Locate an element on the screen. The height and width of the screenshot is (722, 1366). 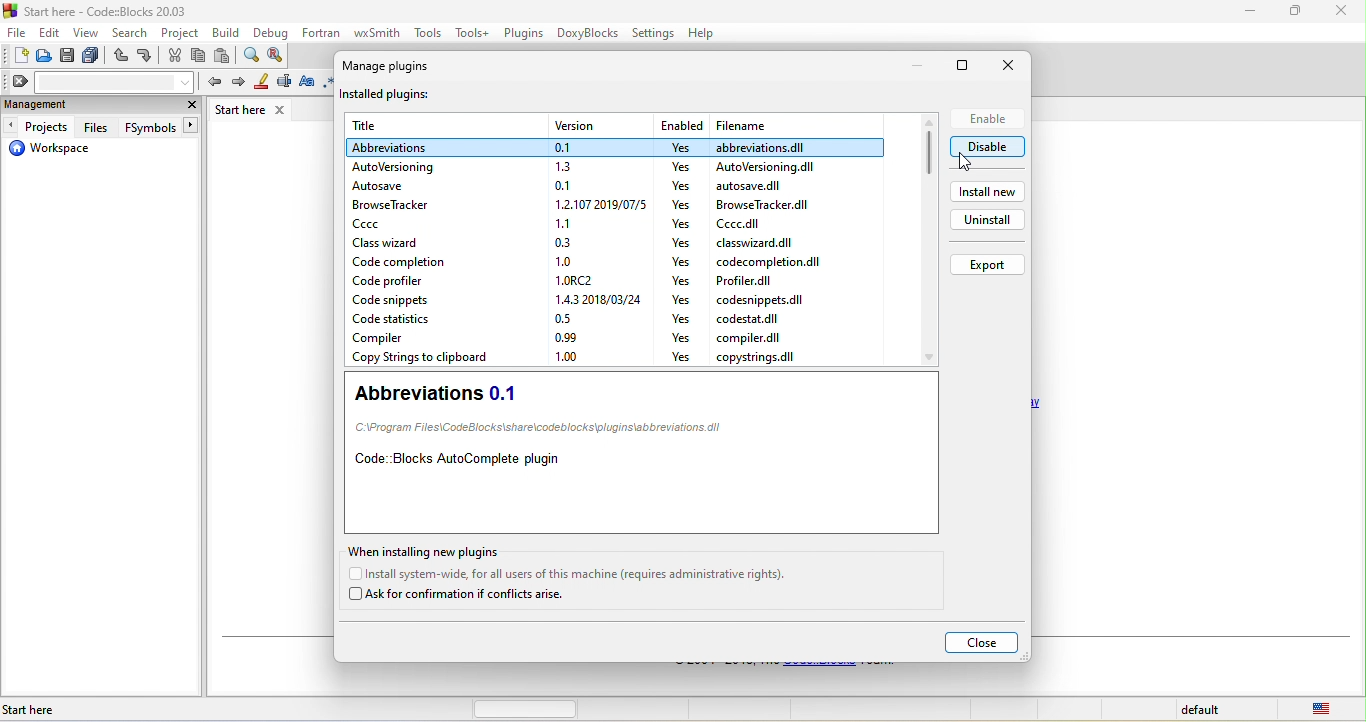
manage plugins is located at coordinates (386, 67).